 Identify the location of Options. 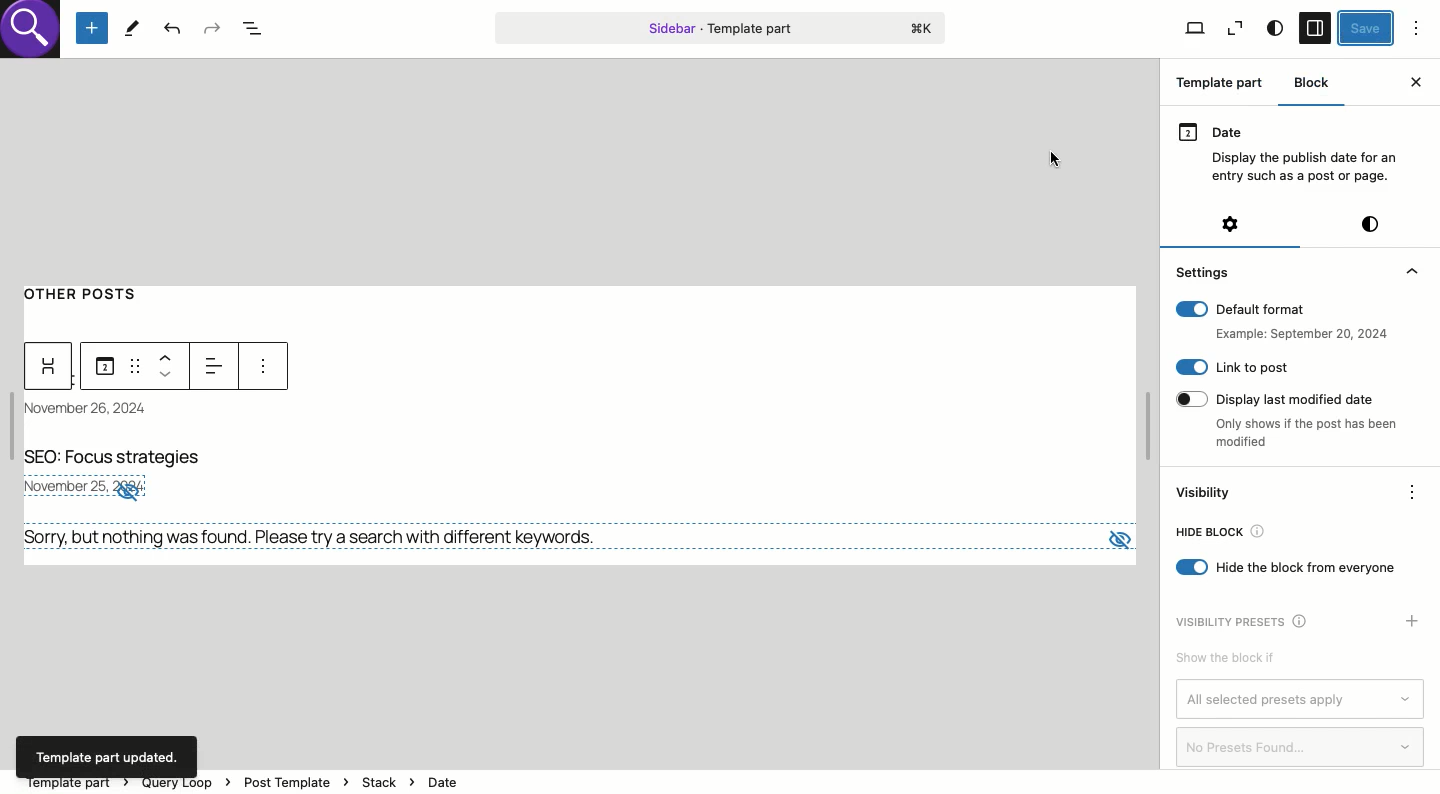
(1413, 490).